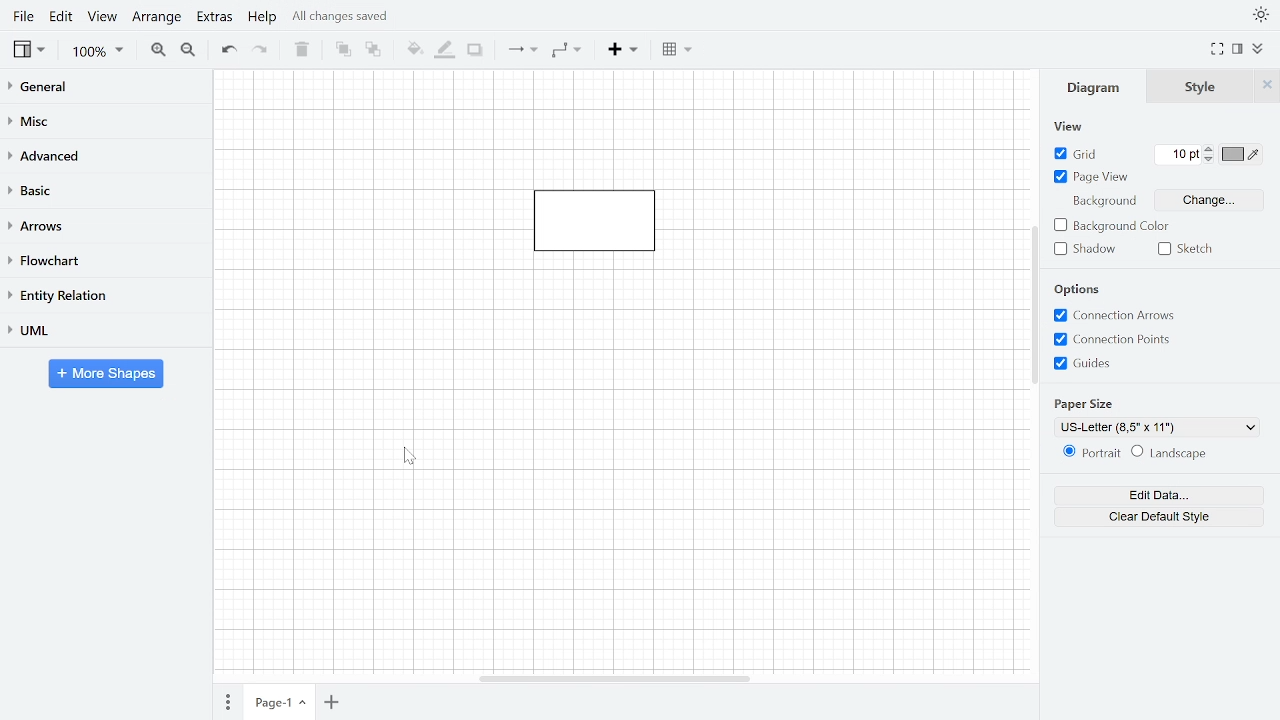  I want to click on Pages, so click(229, 701).